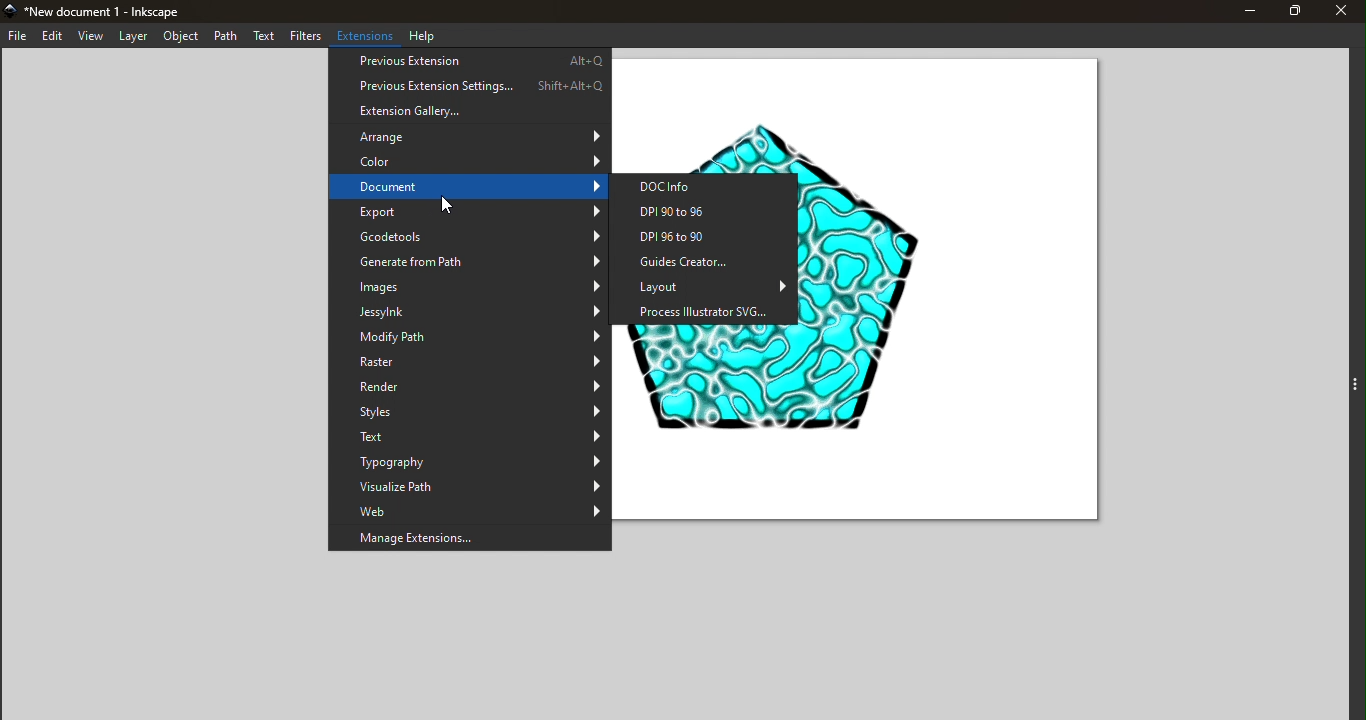 The width and height of the screenshot is (1366, 720). I want to click on Typography, so click(471, 462).